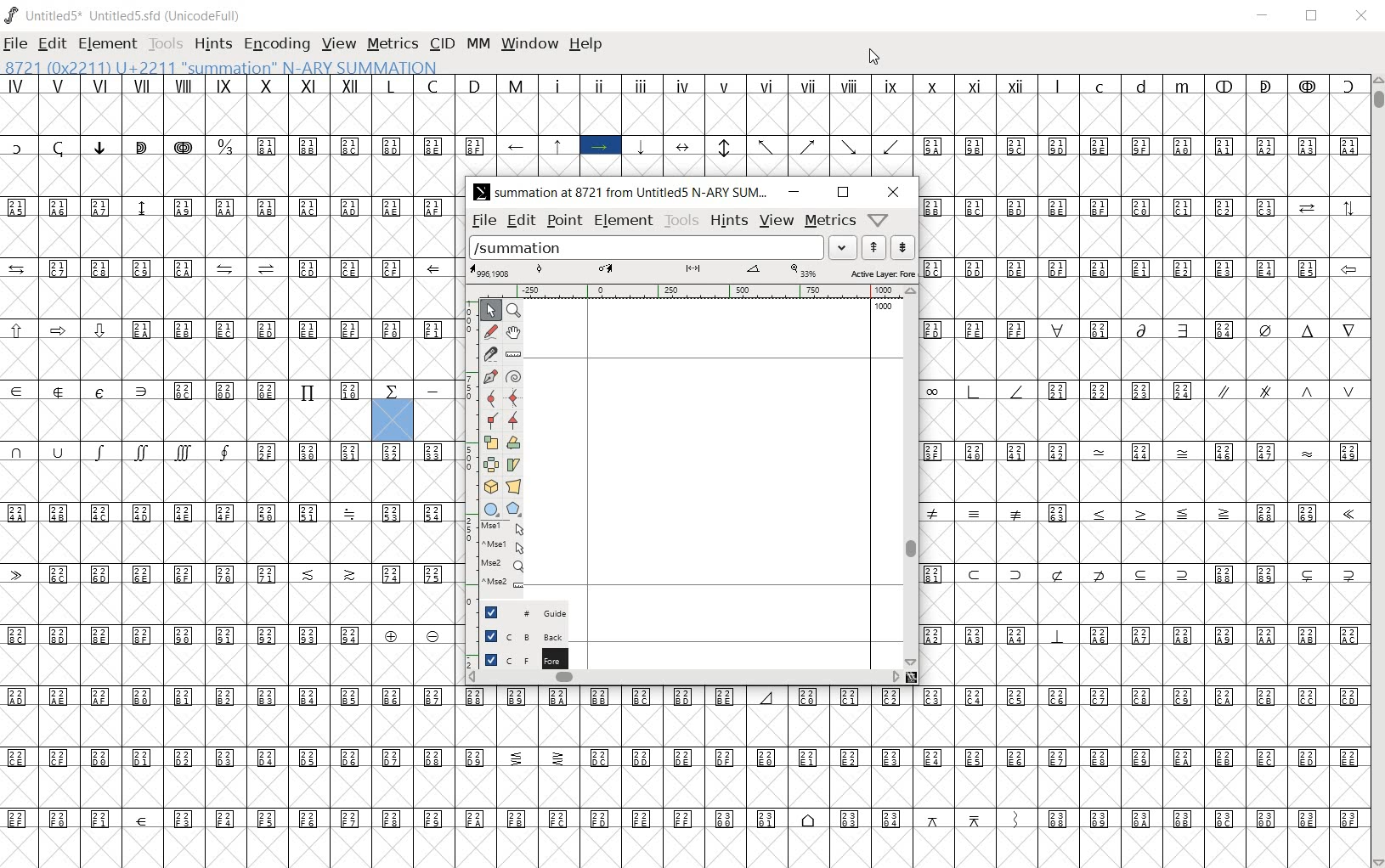  Describe the element at coordinates (515, 488) in the screenshot. I see `perform a perspective transformation on the selection` at that location.